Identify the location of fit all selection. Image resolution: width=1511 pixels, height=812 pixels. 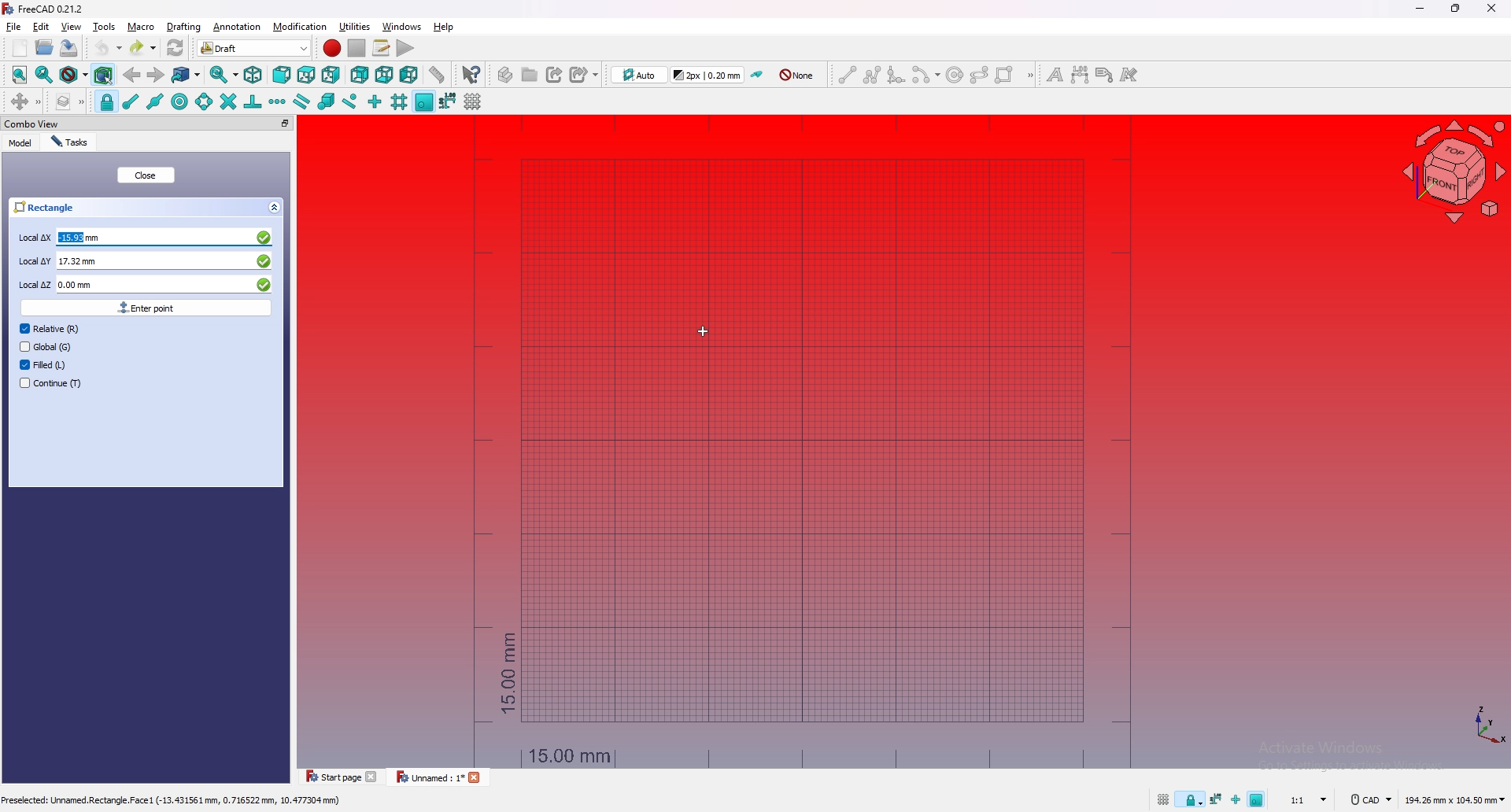
(43, 75).